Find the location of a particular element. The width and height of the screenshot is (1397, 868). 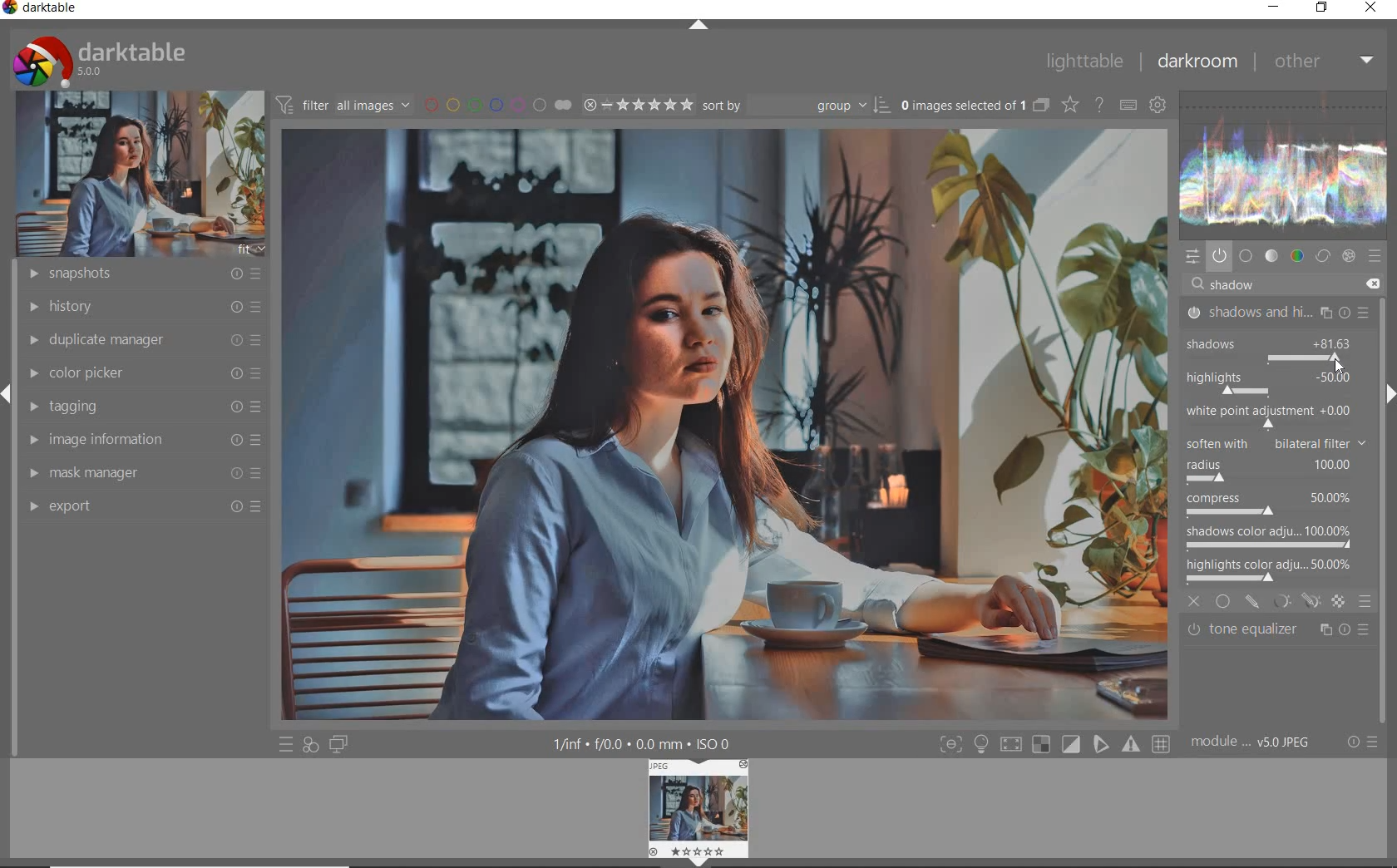

cursor position is located at coordinates (1338, 360).